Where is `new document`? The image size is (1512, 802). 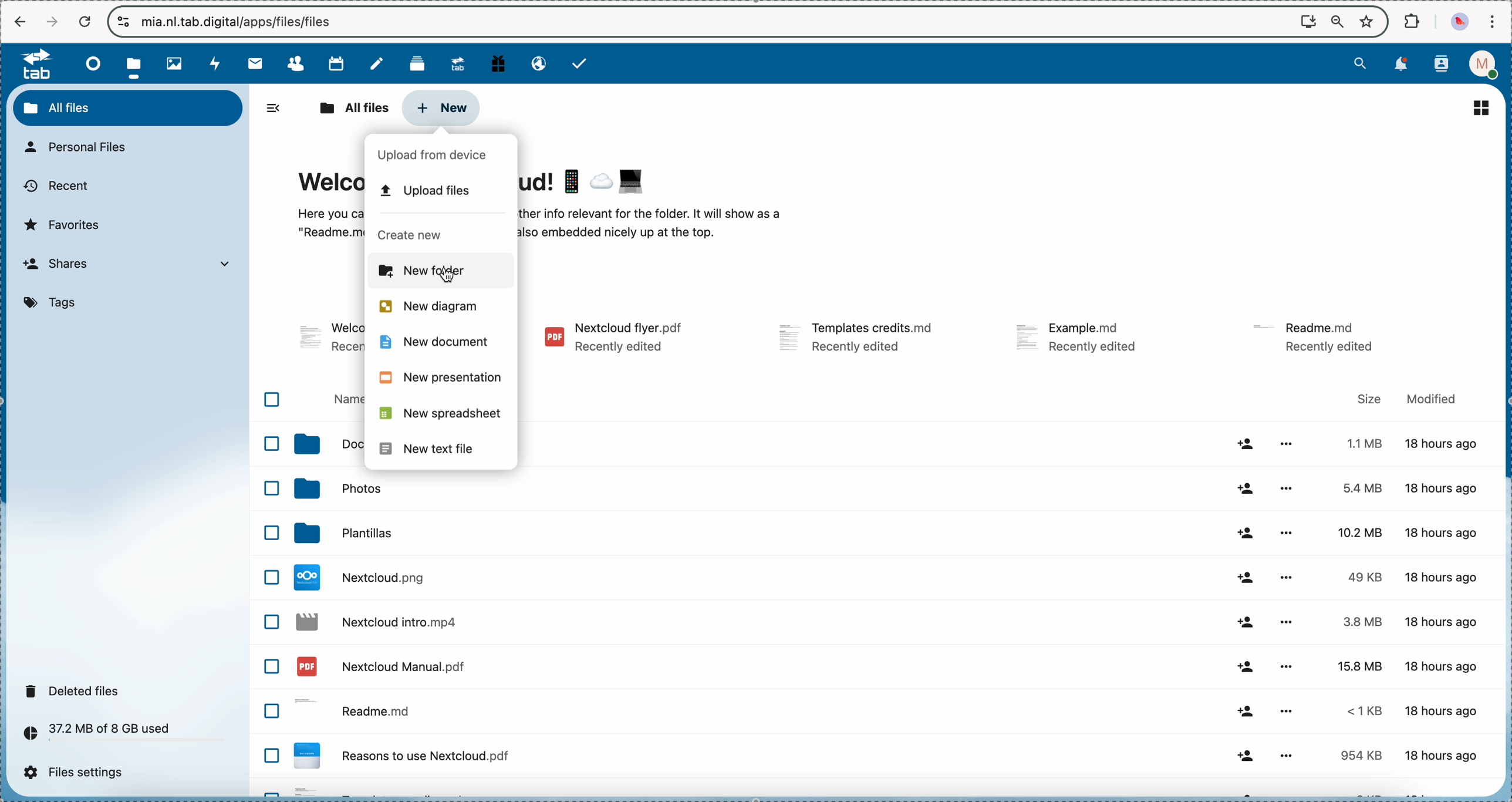 new document is located at coordinates (438, 343).